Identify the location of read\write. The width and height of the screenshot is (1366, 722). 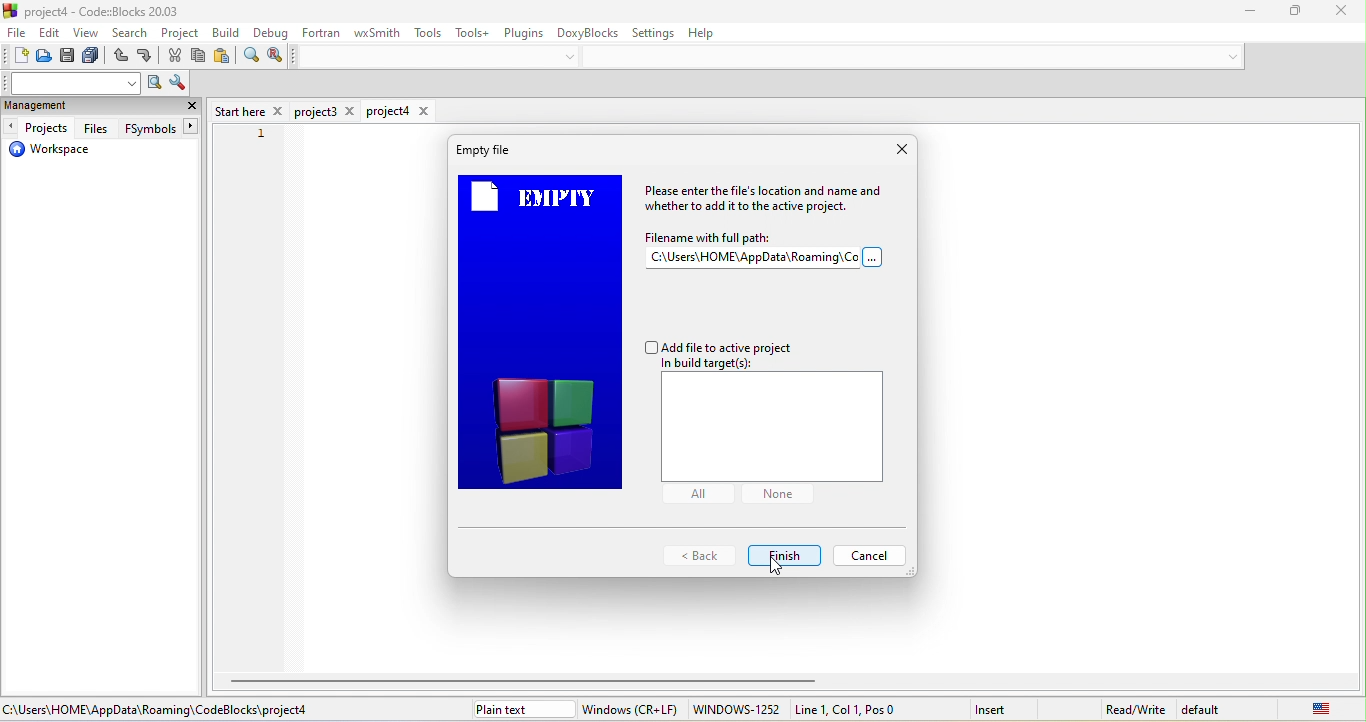
(1135, 706).